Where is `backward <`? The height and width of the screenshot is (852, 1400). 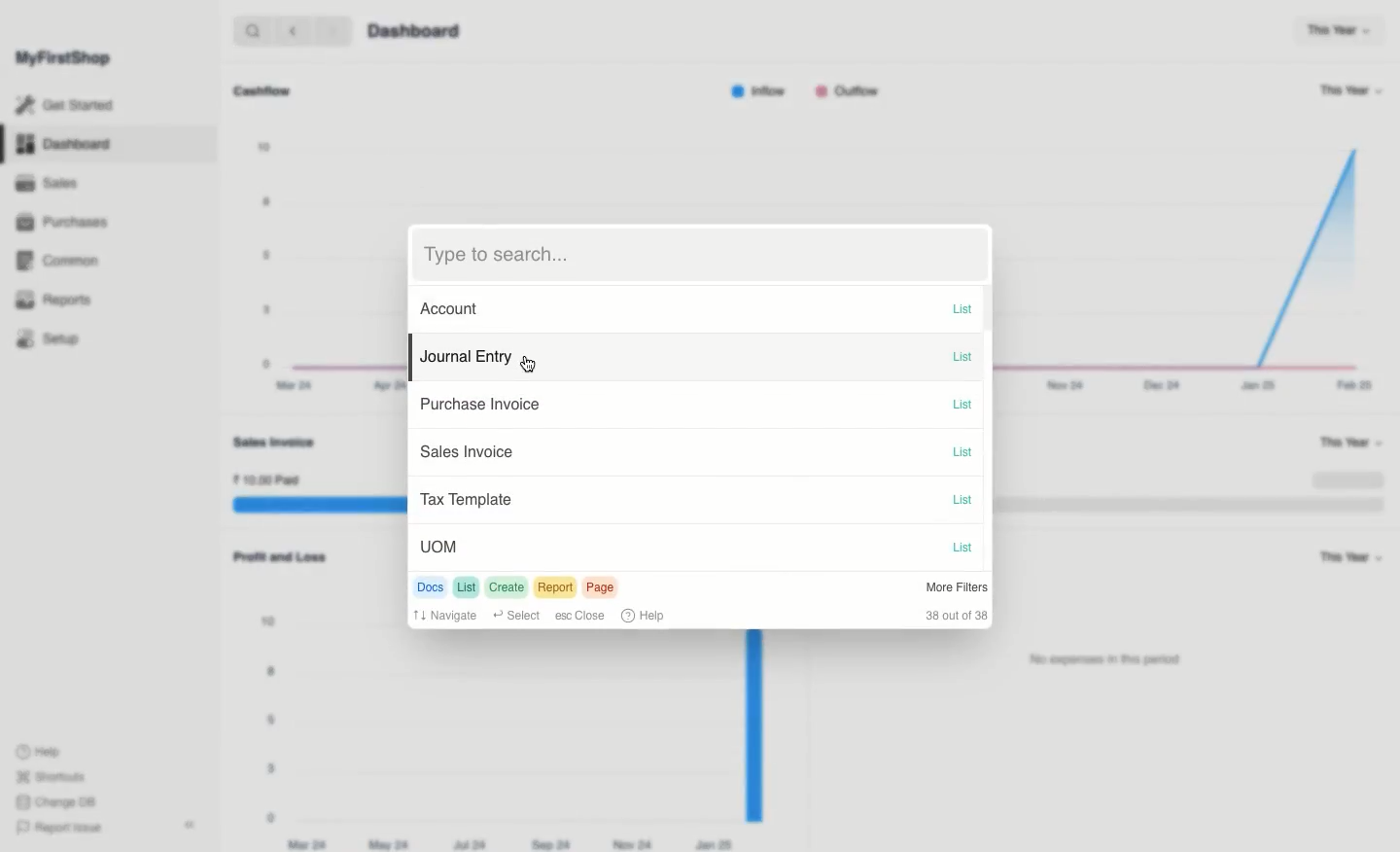
backward < is located at coordinates (288, 33).